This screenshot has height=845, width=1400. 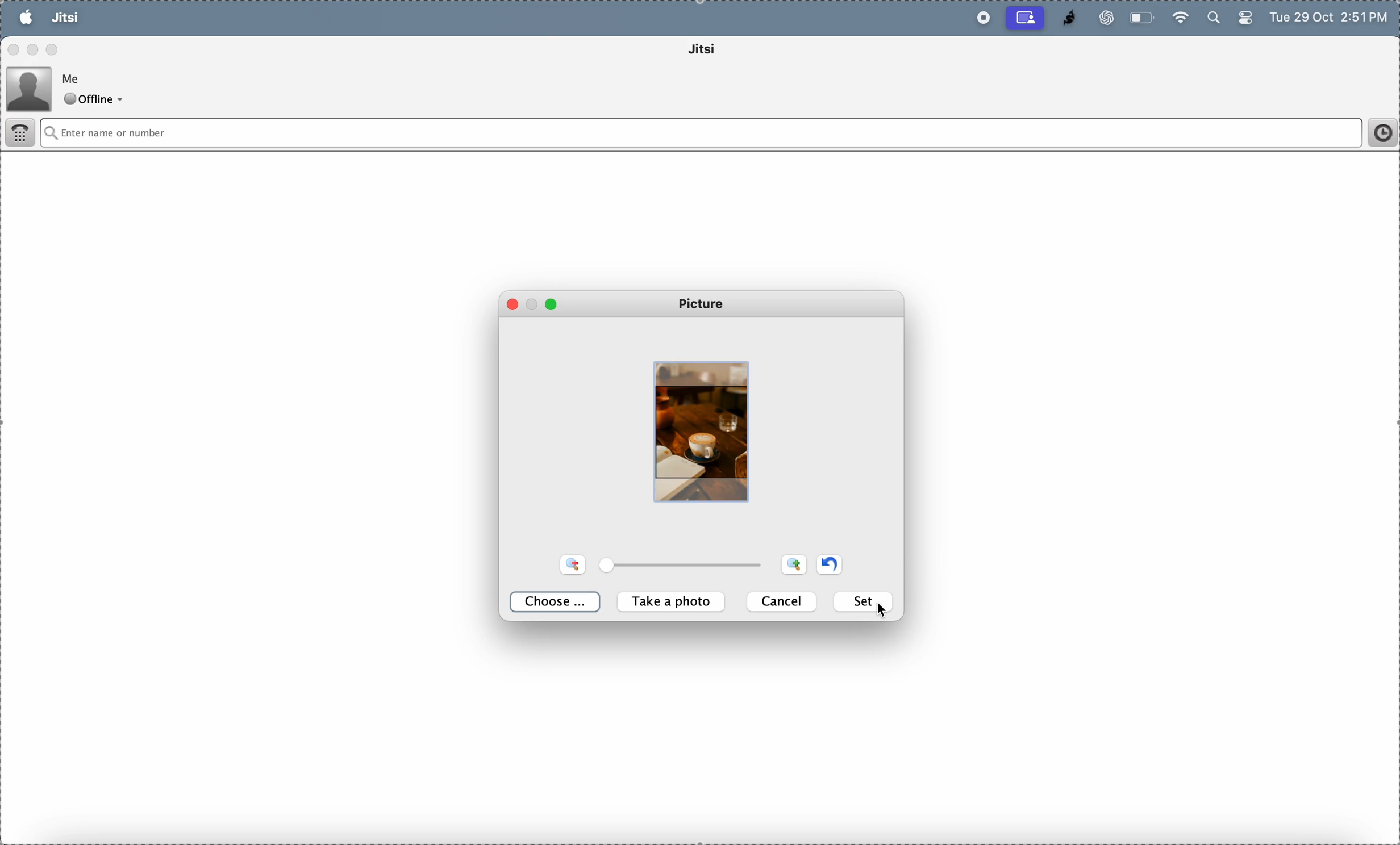 What do you see at coordinates (108, 18) in the screenshot?
I see `file` at bounding box center [108, 18].